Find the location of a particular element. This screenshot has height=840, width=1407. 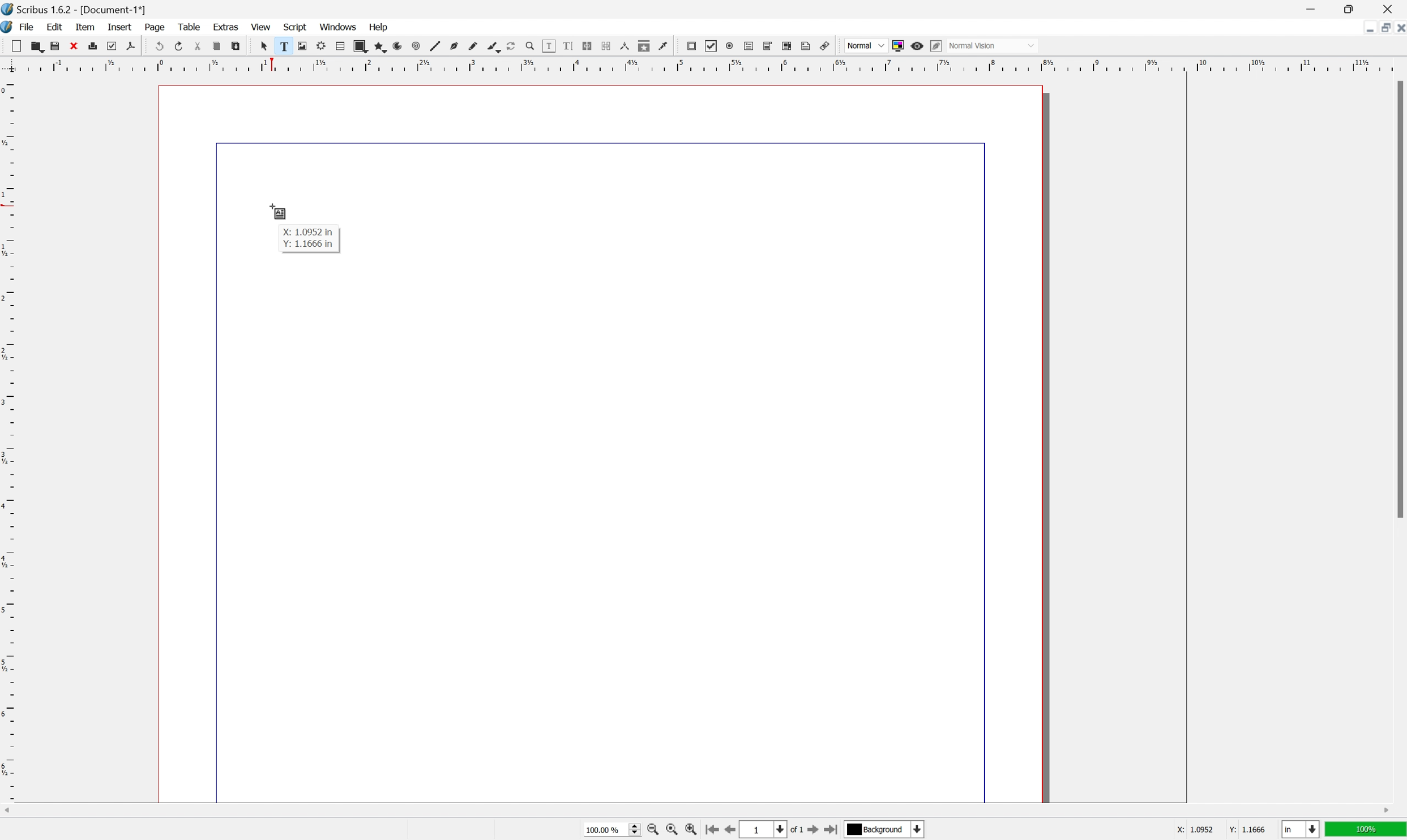

toggle color management system is located at coordinates (896, 46).